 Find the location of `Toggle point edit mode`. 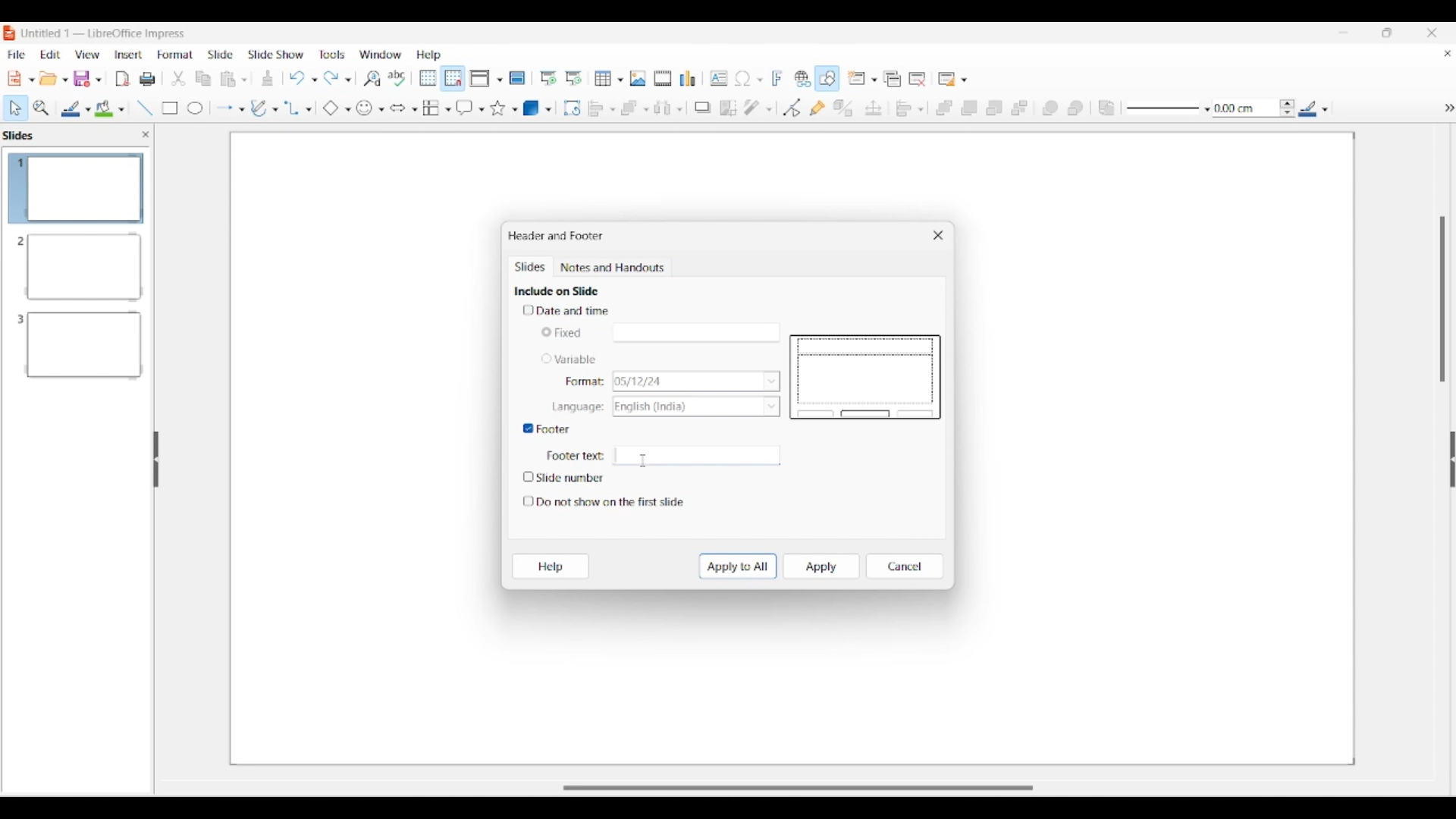

Toggle point edit mode is located at coordinates (792, 108).